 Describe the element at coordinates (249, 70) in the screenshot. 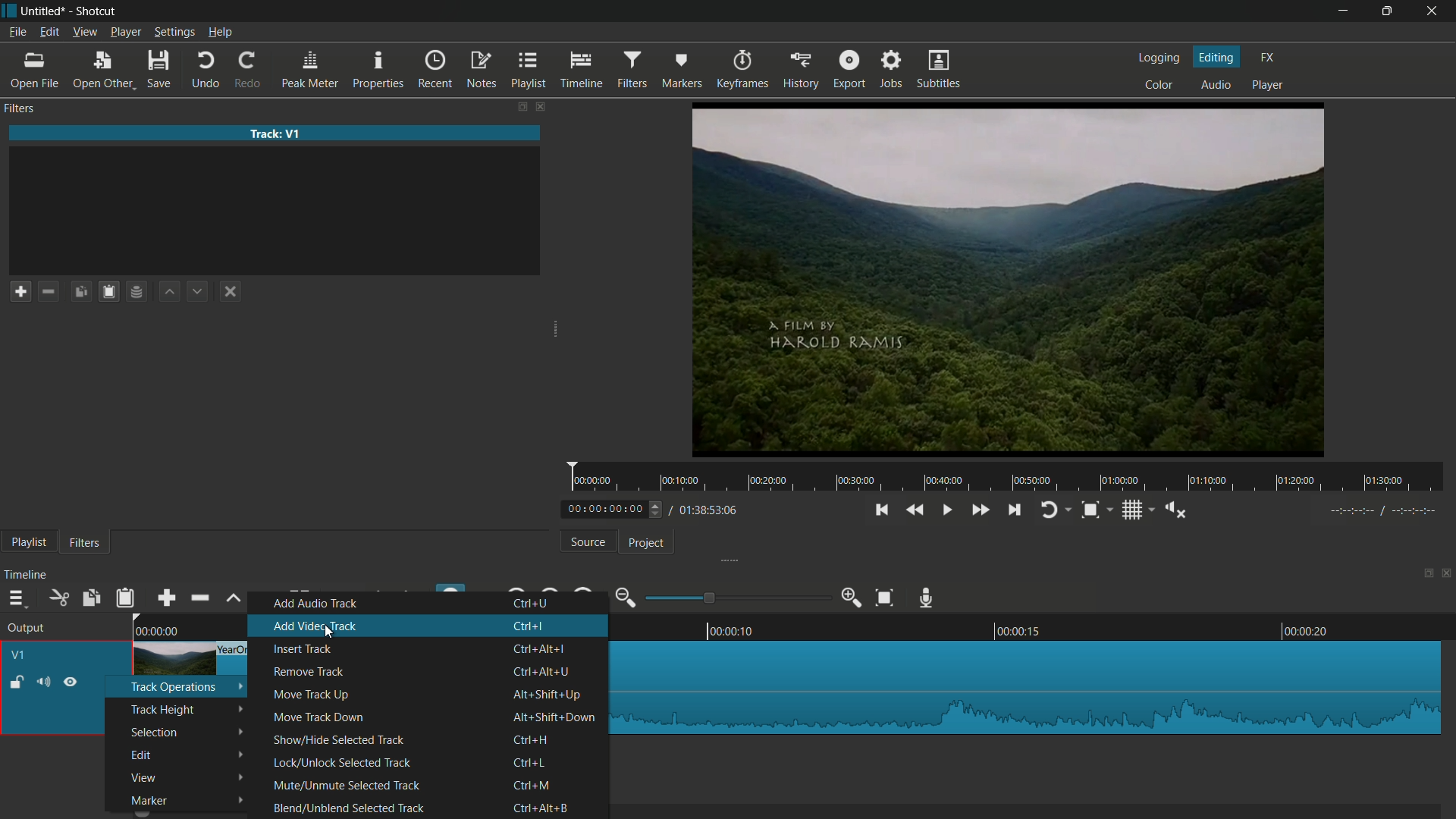

I see `redo` at that location.